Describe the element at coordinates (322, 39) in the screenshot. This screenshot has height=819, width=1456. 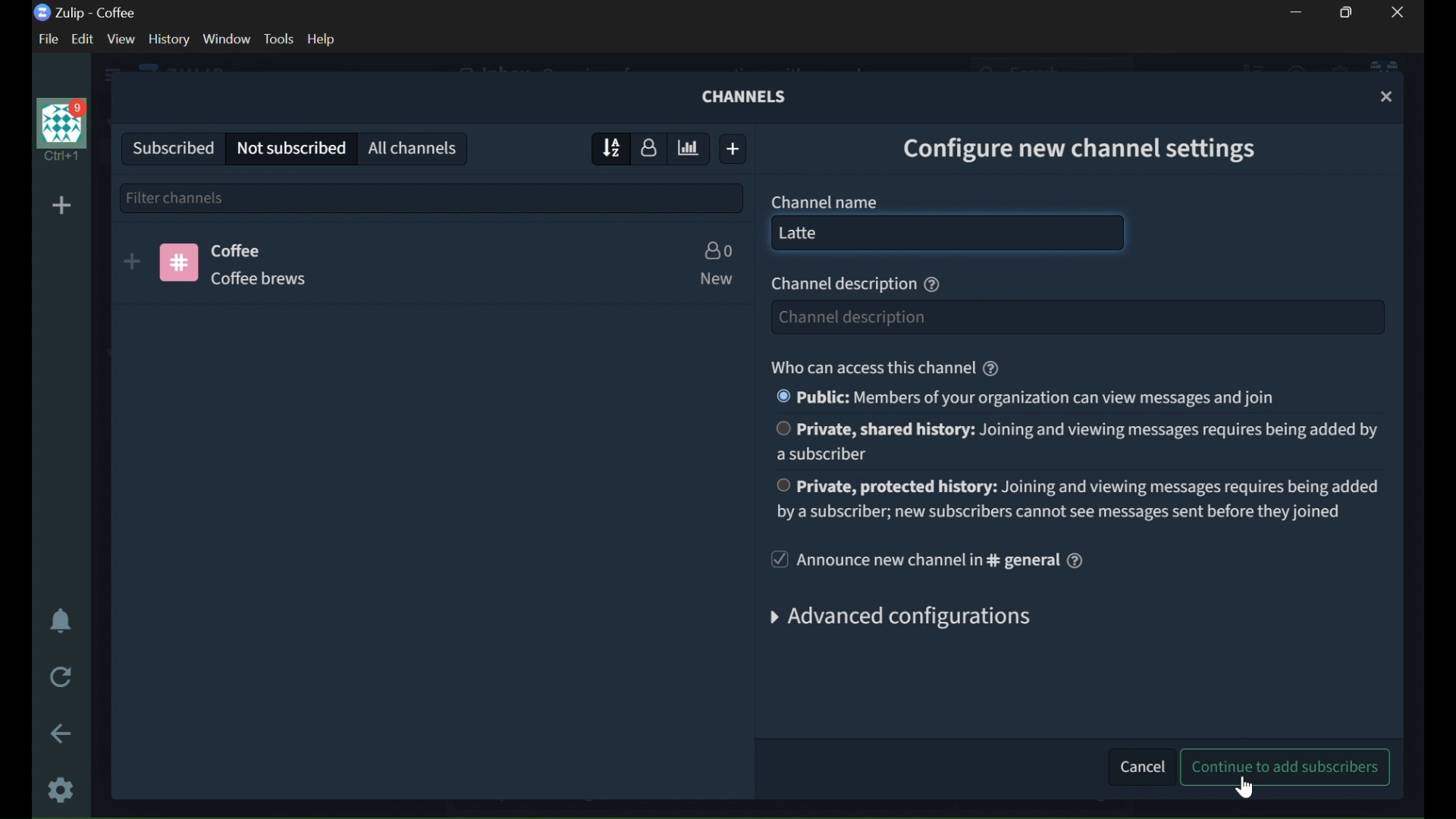
I see `help` at that location.